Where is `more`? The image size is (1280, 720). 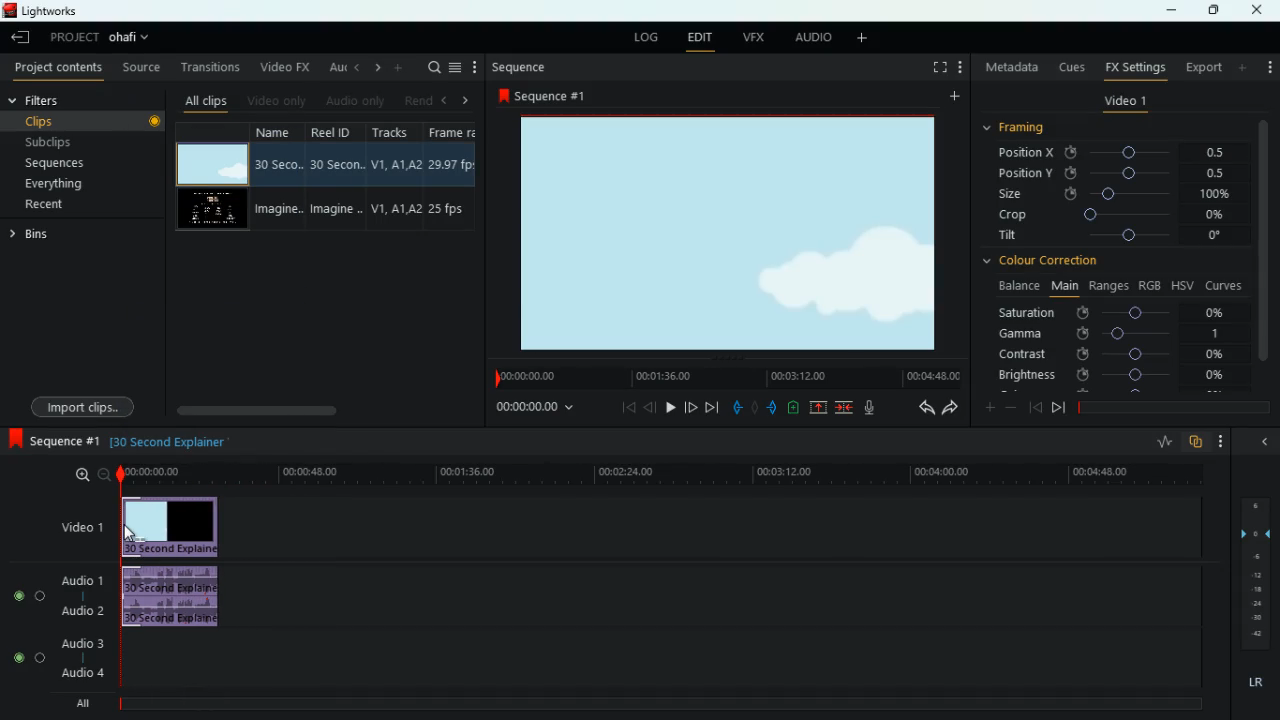 more is located at coordinates (477, 67).